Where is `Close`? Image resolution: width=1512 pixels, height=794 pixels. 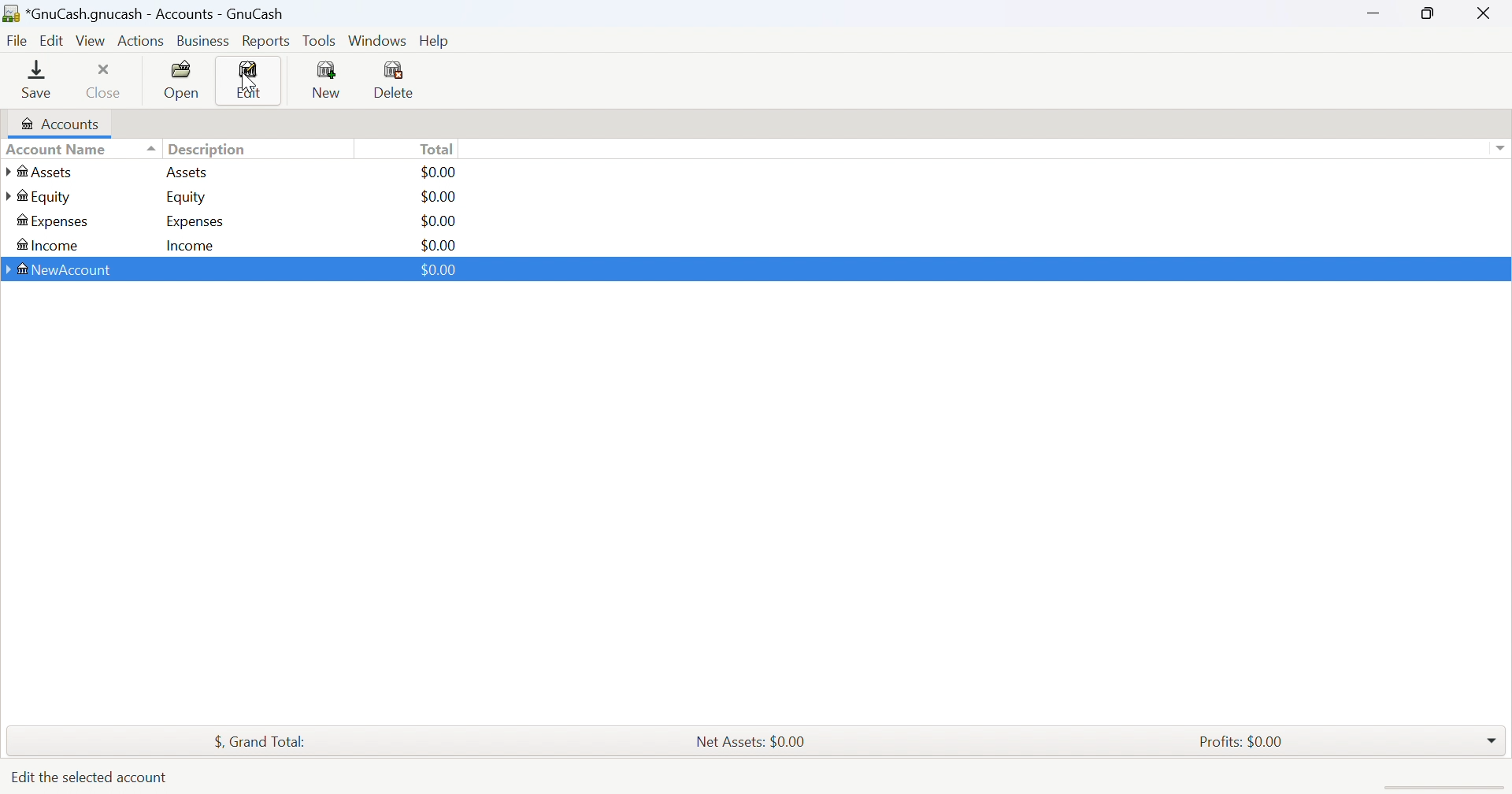
Close is located at coordinates (1484, 13).